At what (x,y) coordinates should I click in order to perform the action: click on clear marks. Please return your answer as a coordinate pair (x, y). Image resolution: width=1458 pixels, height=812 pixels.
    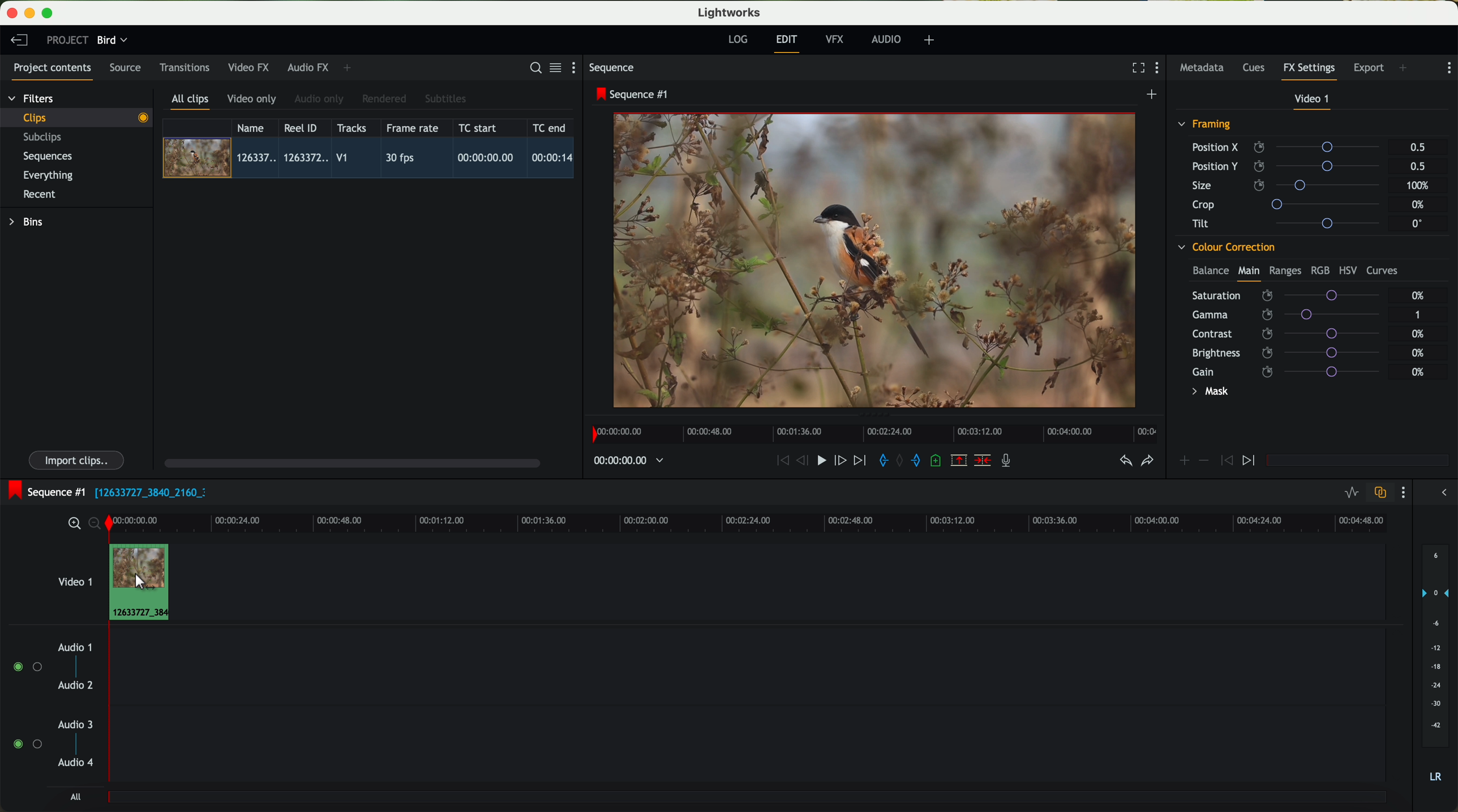
    Looking at the image, I should click on (900, 461).